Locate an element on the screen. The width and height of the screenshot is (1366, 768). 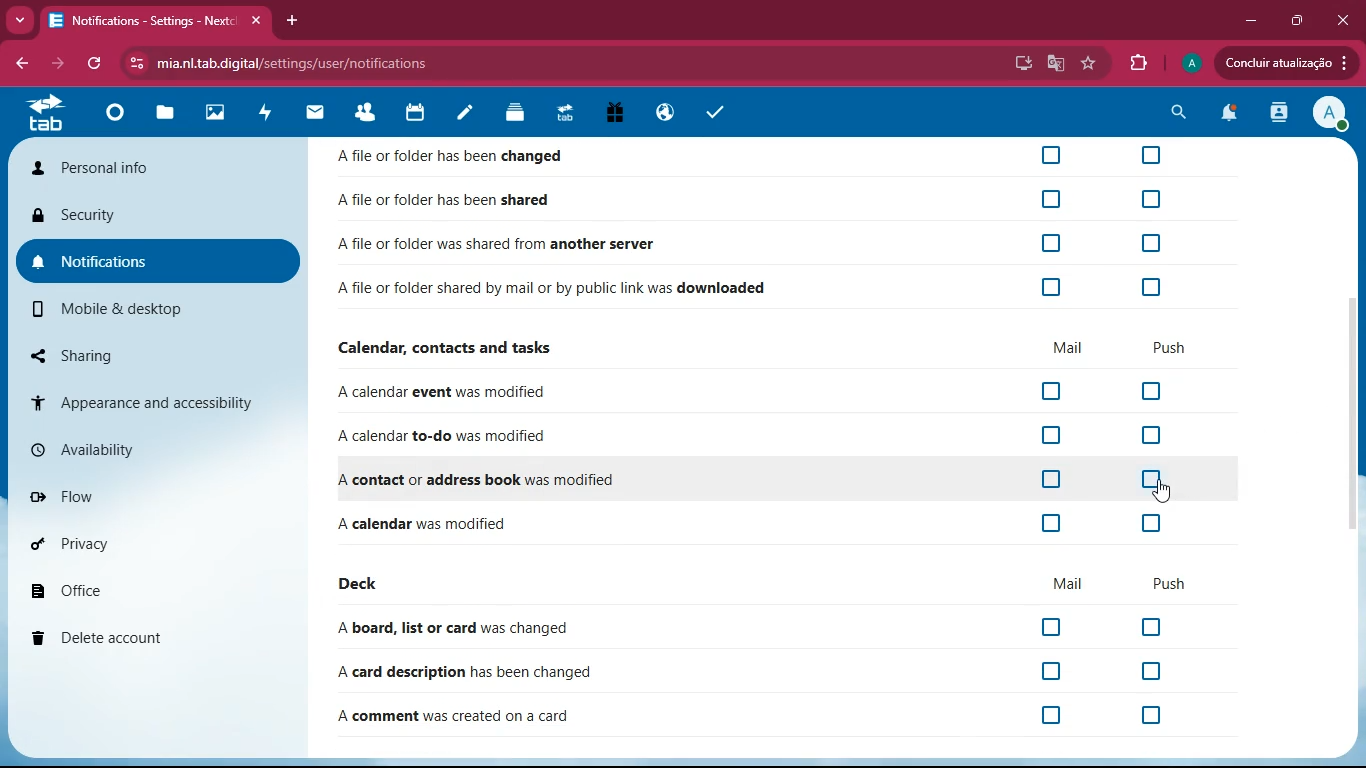
calendar is located at coordinates (421, 113).